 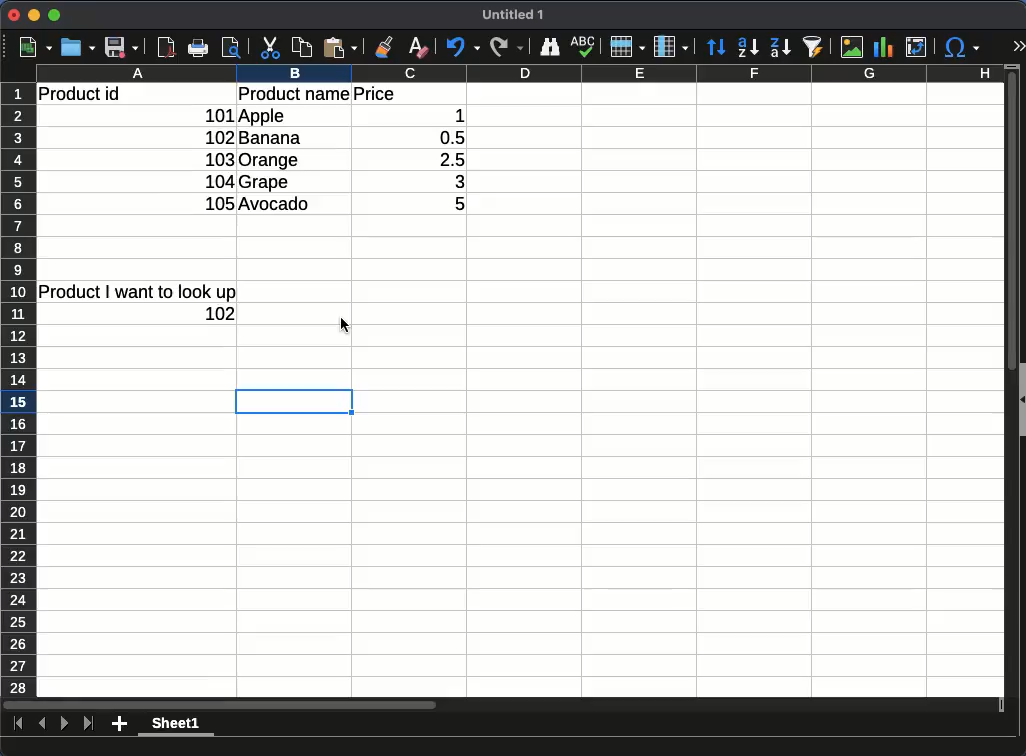 I want to click on redo, so click(x=507, y=47).